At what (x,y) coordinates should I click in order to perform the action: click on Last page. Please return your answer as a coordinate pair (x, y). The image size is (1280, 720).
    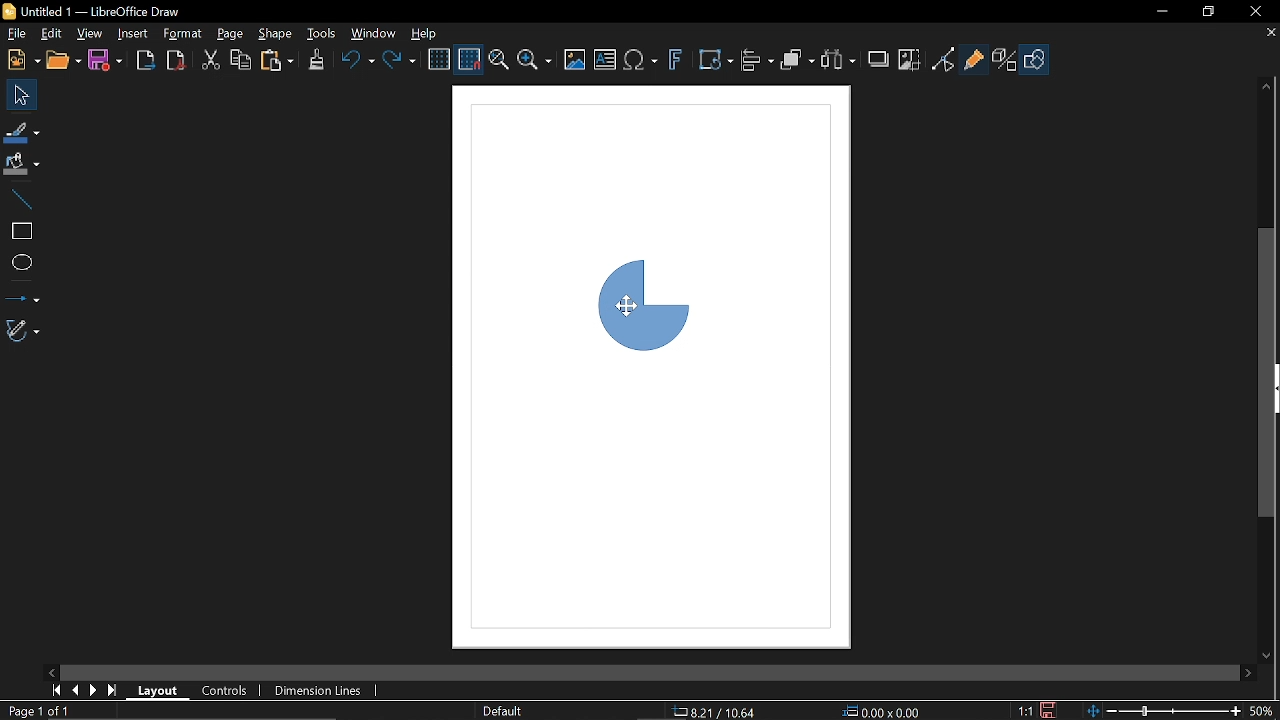
    Looking at the image, I should click on (115, 689).